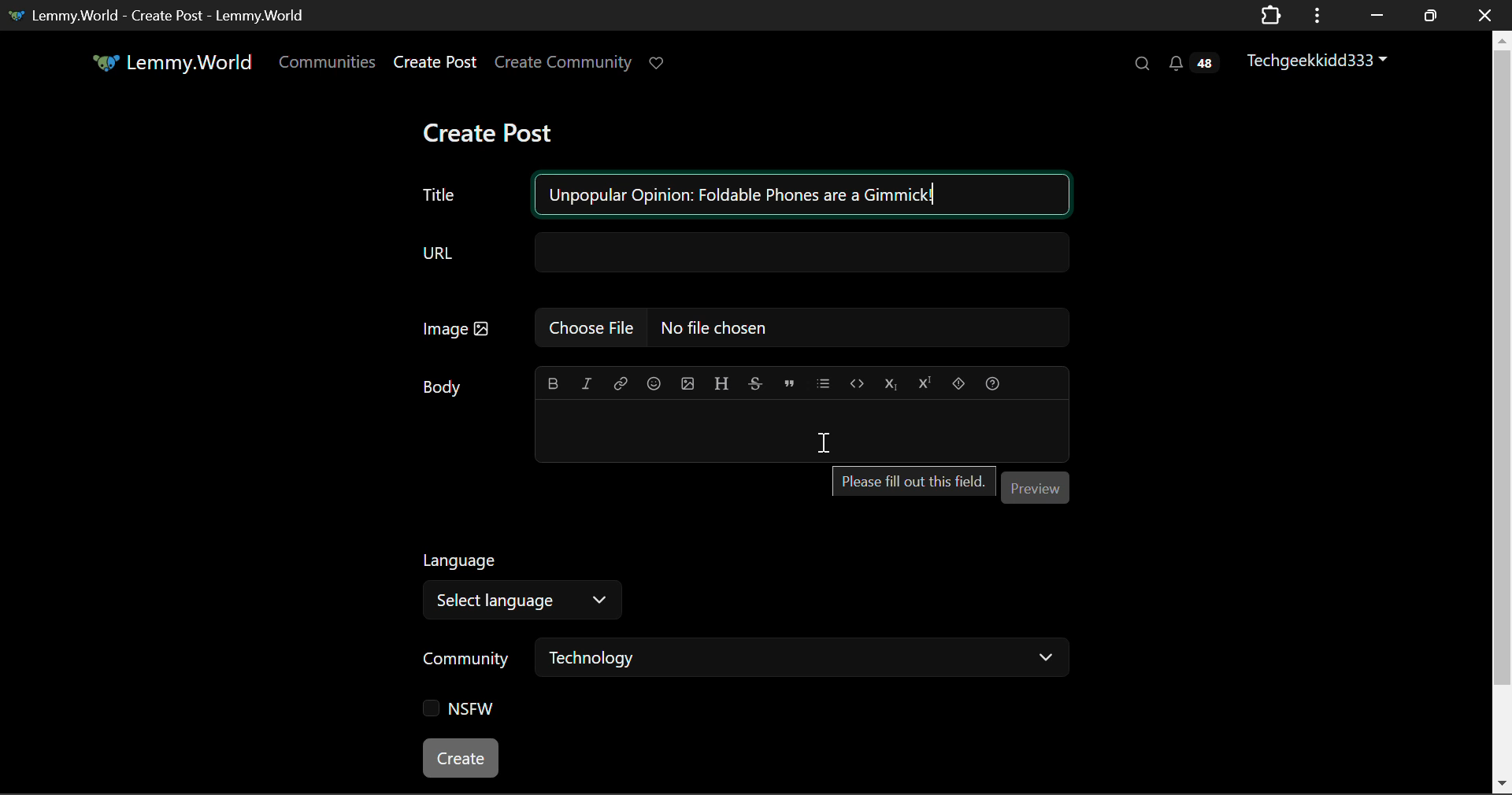  I want to click on Select Post Language, so click(516, 582).